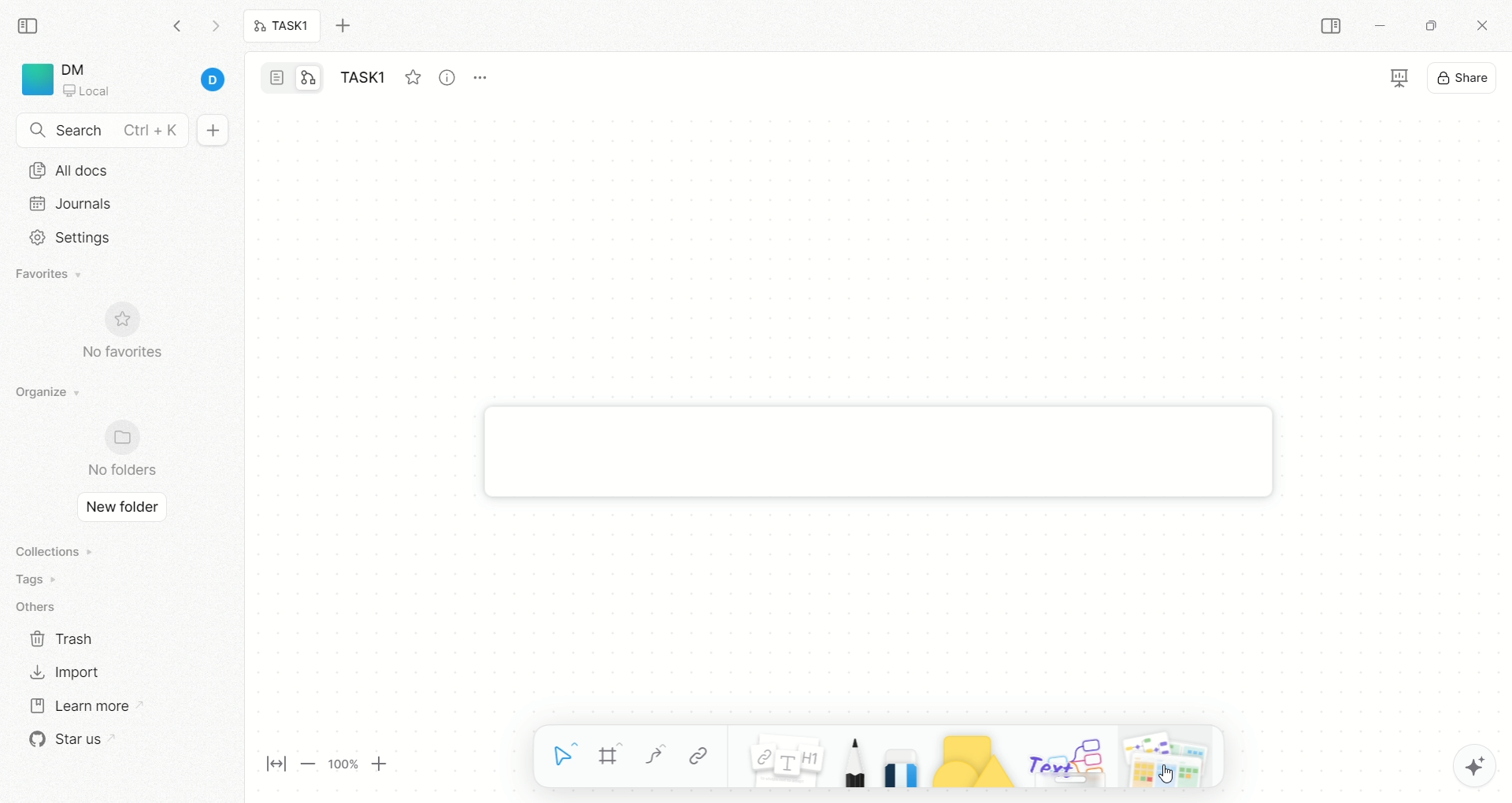 The width and height of the screenshot is (1512, 803). What do you see at coordinates (332, 766) in the screenshot?
I see `page magnification` at bounding box center [332, 766].